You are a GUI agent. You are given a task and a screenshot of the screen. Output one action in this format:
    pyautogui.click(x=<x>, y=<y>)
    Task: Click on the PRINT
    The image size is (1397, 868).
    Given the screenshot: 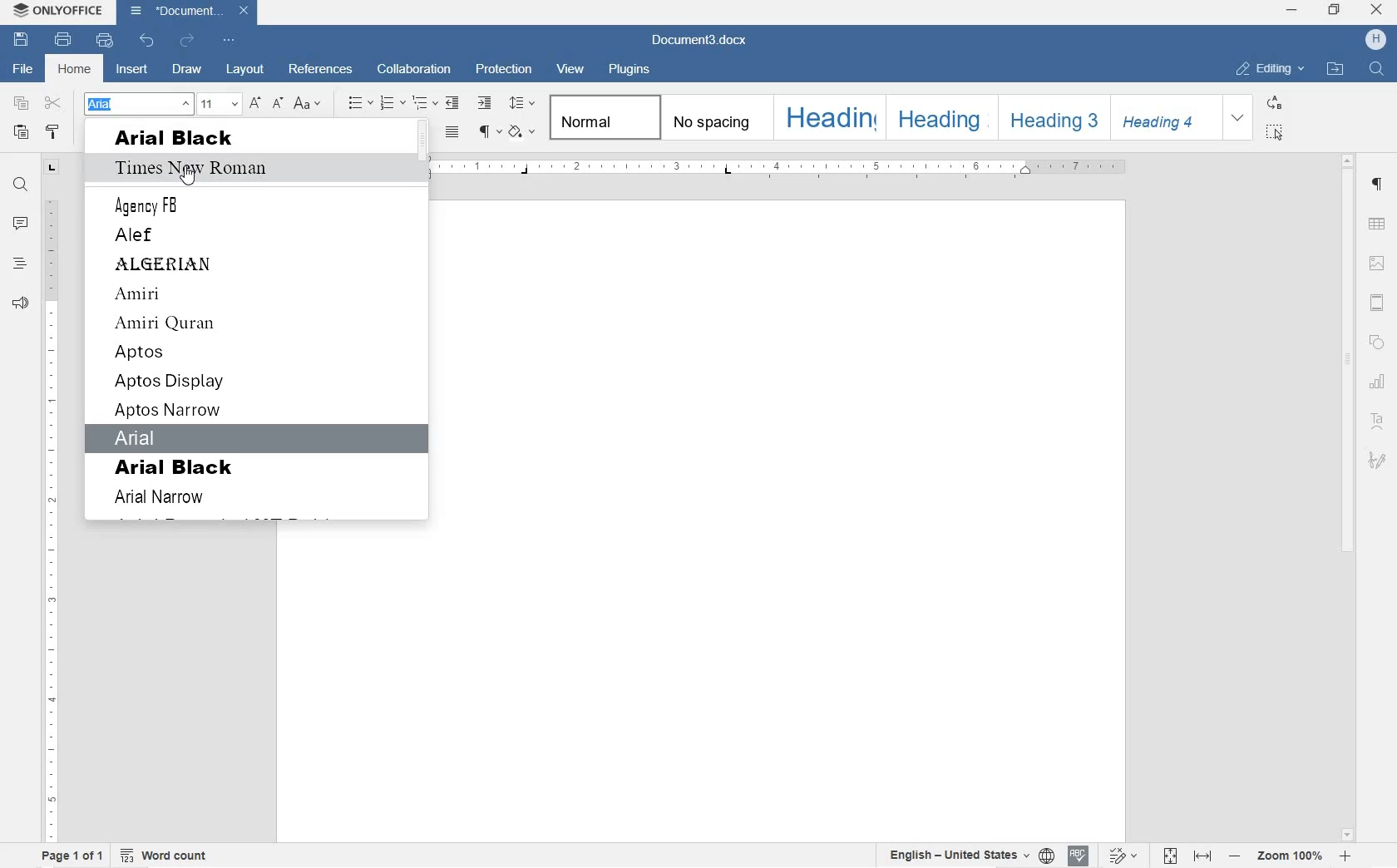 What is the action you would take?
    pyautogui.click(x=62, y=37)
    